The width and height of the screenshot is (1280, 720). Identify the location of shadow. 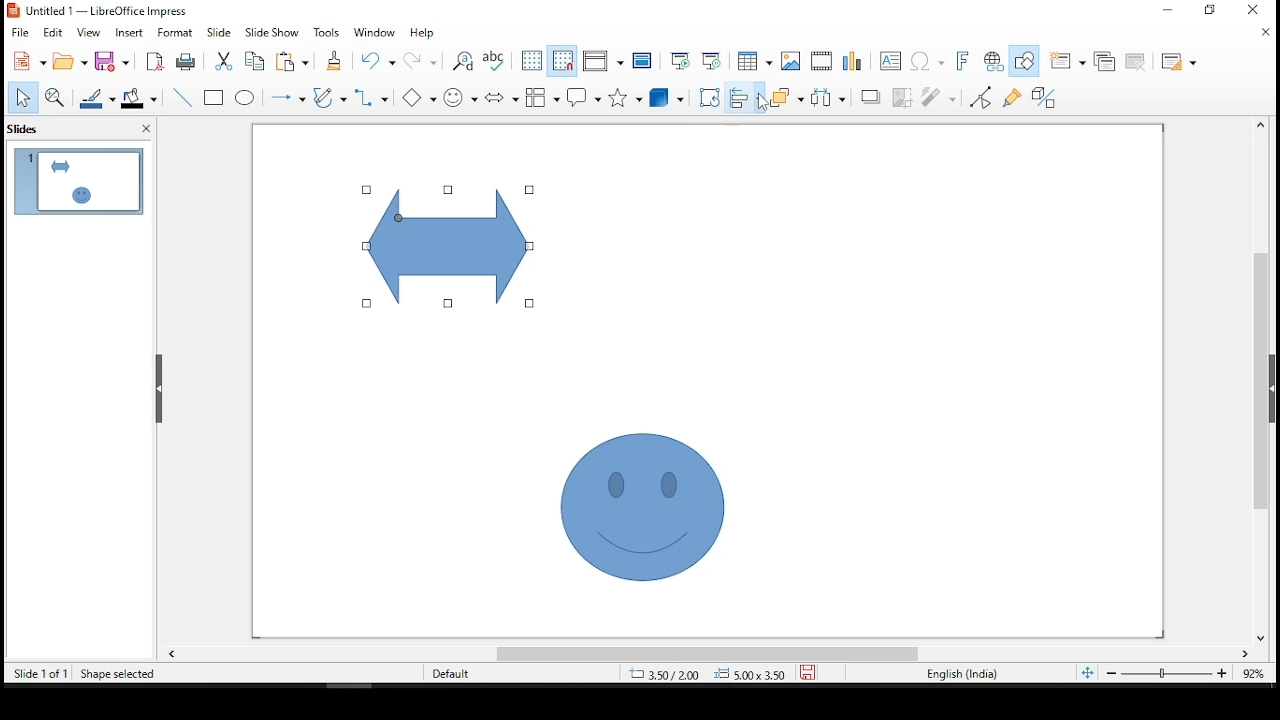
(867, 98).